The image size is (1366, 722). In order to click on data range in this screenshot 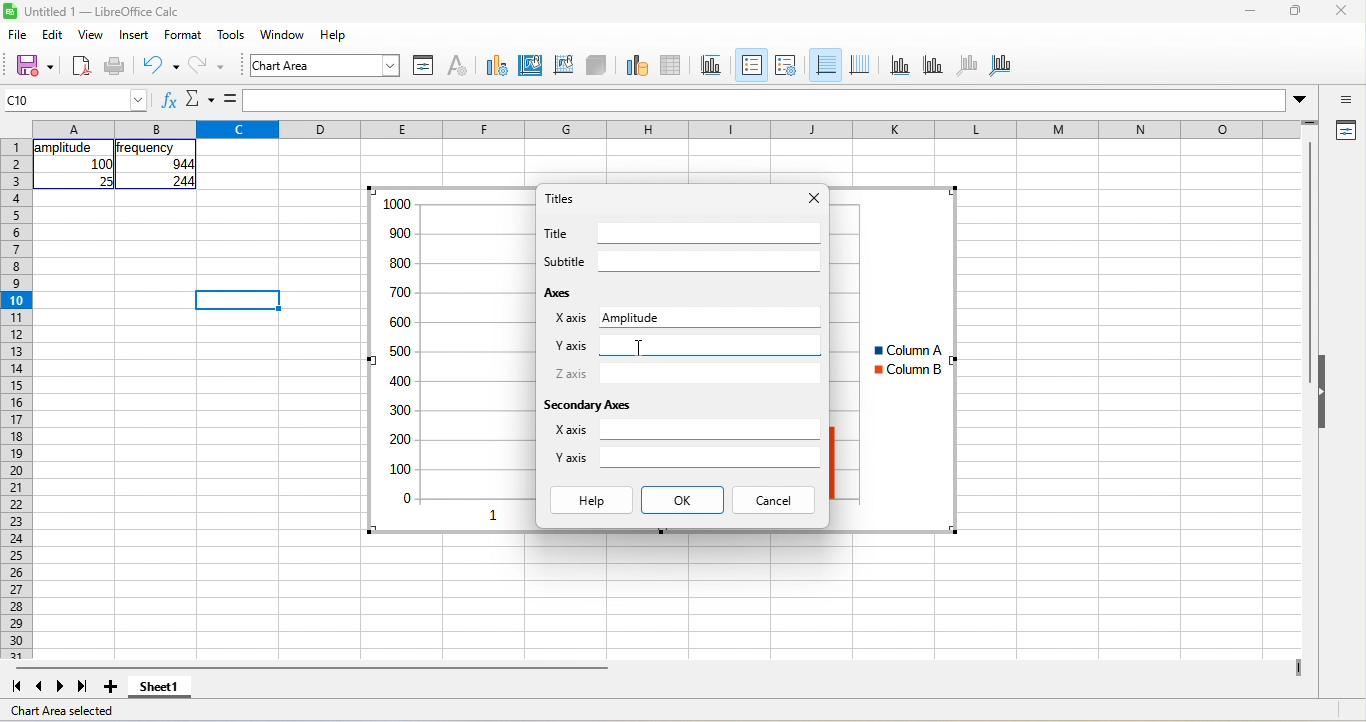, I will do `click(637, 66)`.